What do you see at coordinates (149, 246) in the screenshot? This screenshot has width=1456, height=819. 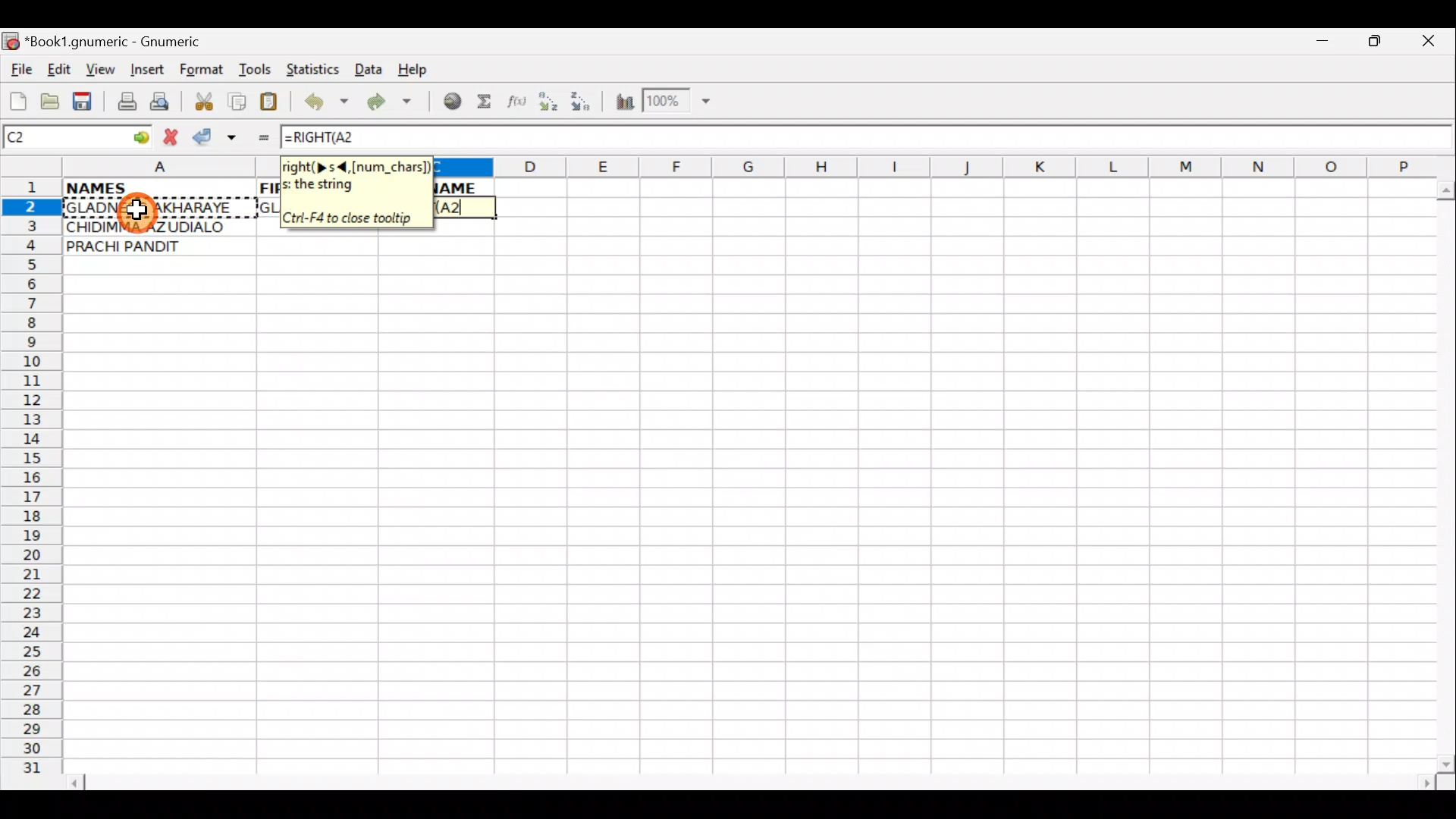 I see `PRACHI PANDIT` at bounding box center [149, 246].